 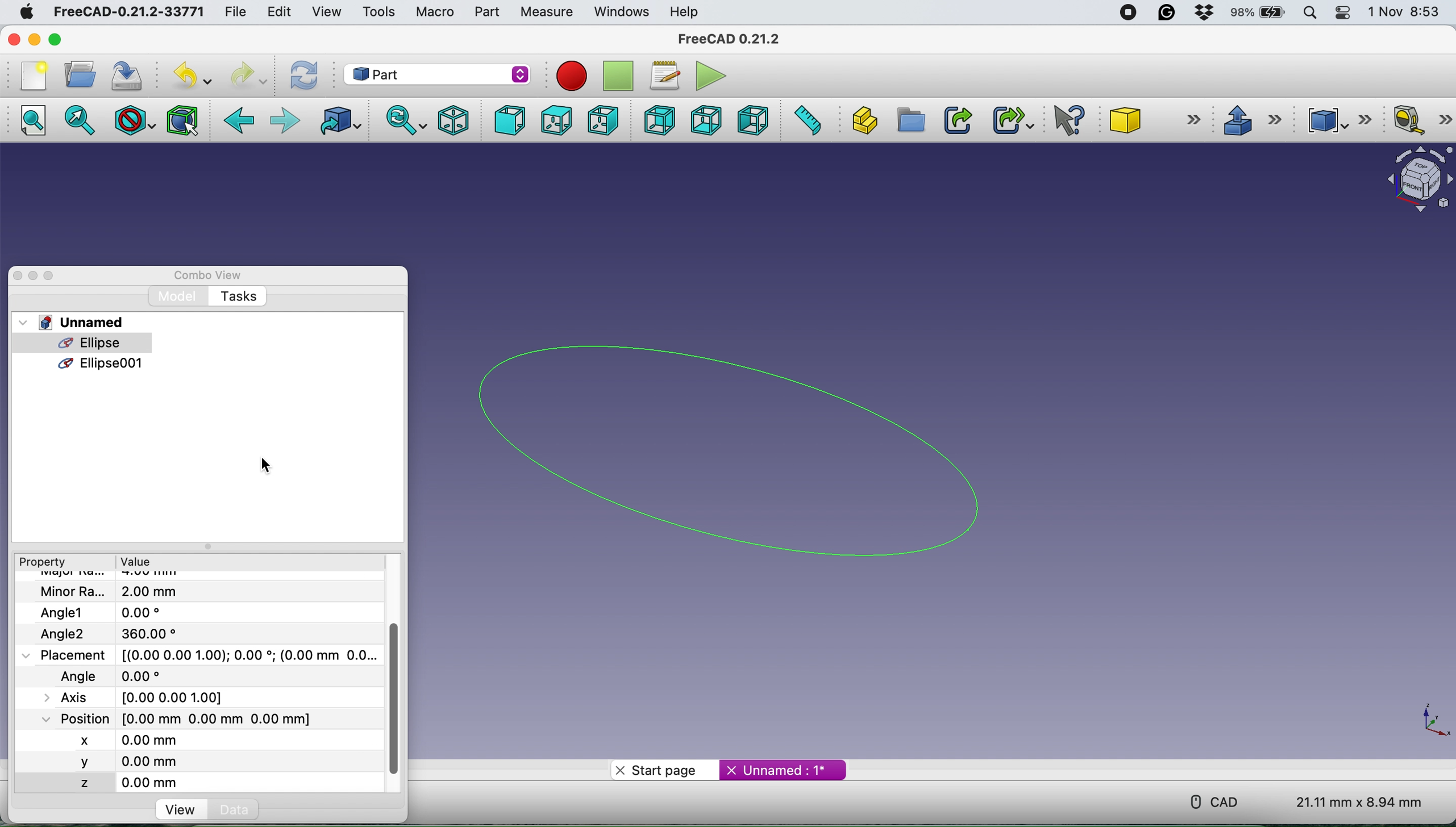 I want to click on start page, so click(x=660, y=770).